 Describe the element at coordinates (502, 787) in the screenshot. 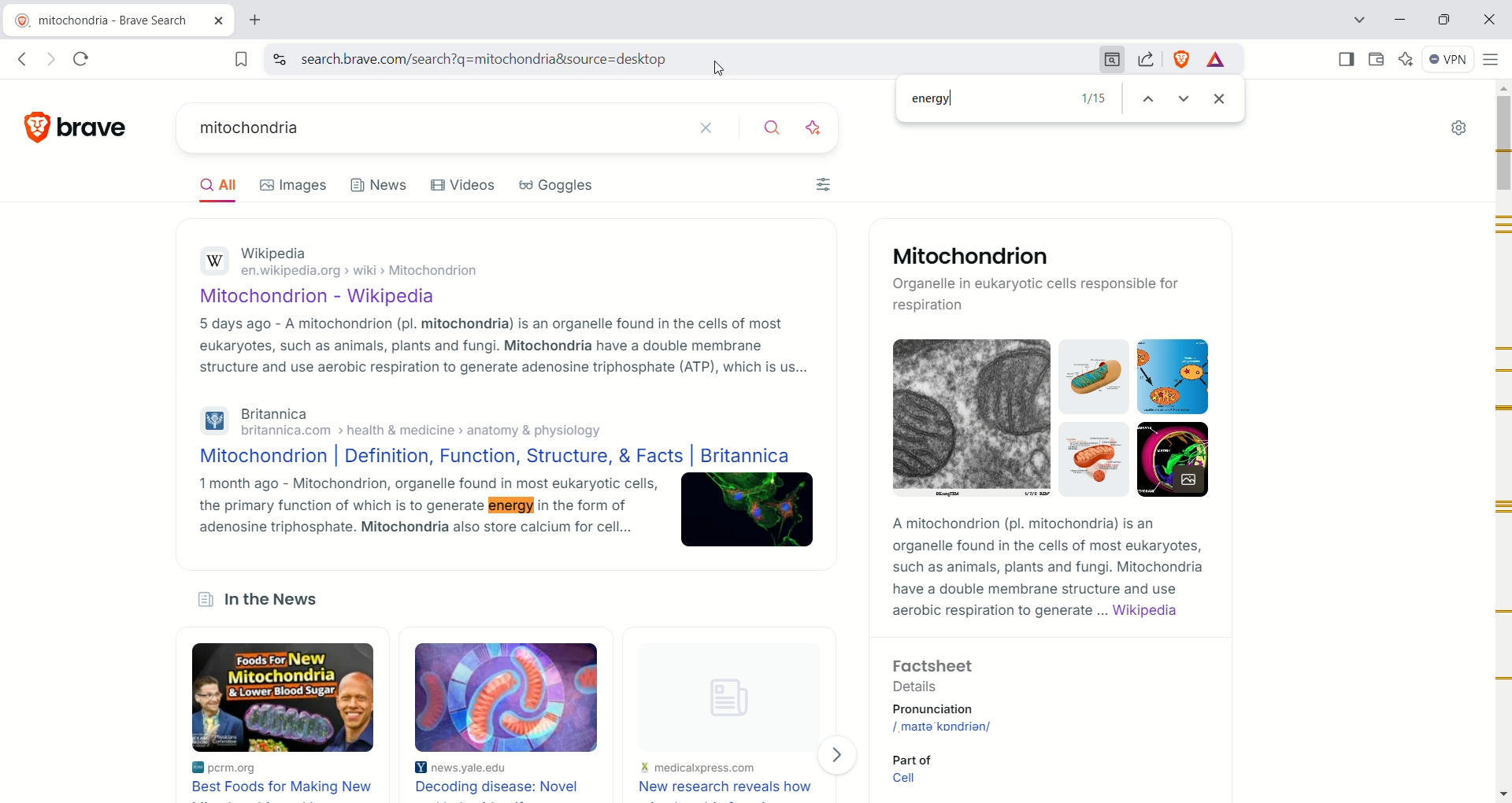

I see `Decoding disease: Novel` at that location.